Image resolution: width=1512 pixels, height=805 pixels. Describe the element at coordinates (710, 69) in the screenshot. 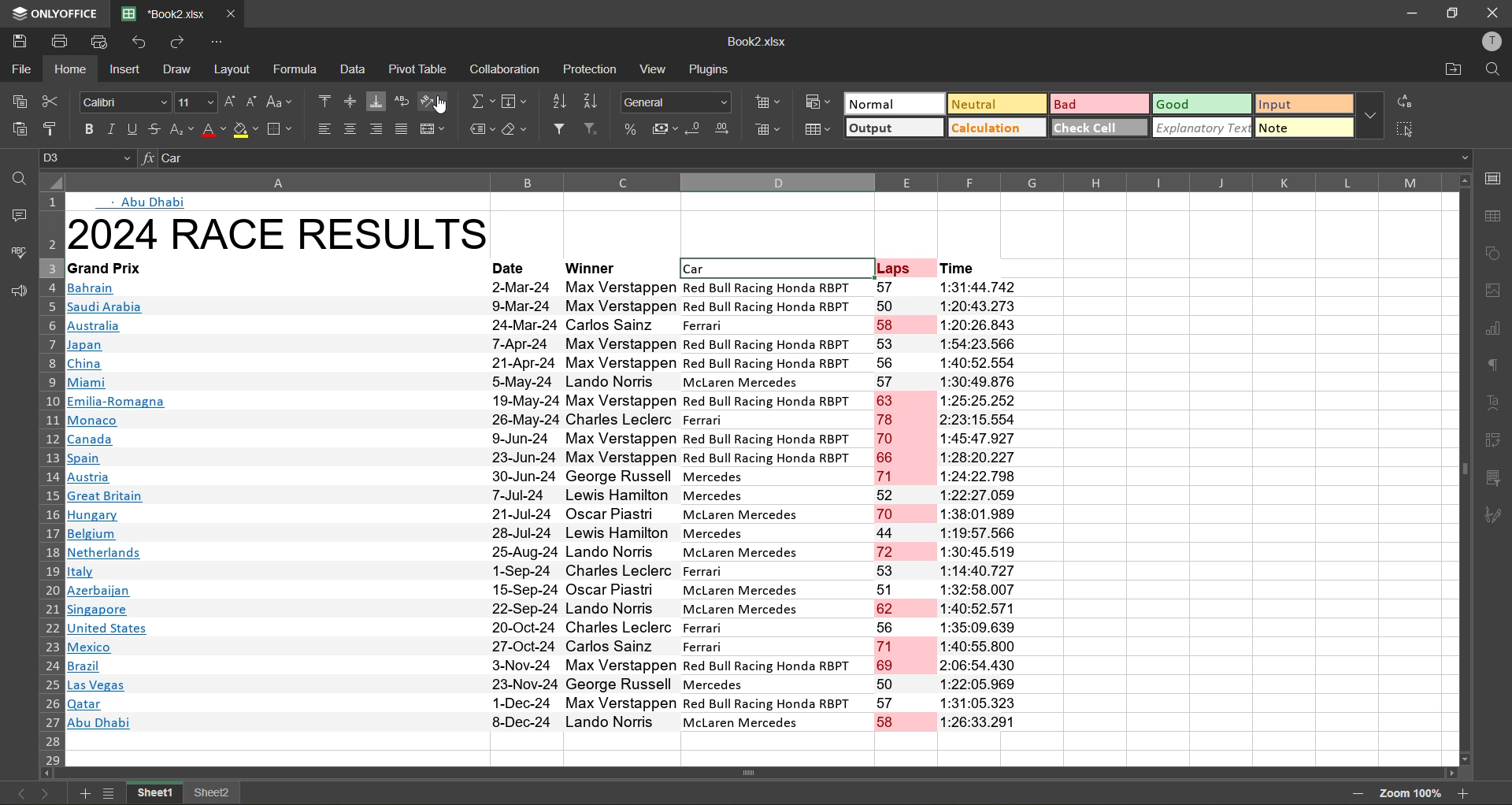

I see `plugins` at that location.